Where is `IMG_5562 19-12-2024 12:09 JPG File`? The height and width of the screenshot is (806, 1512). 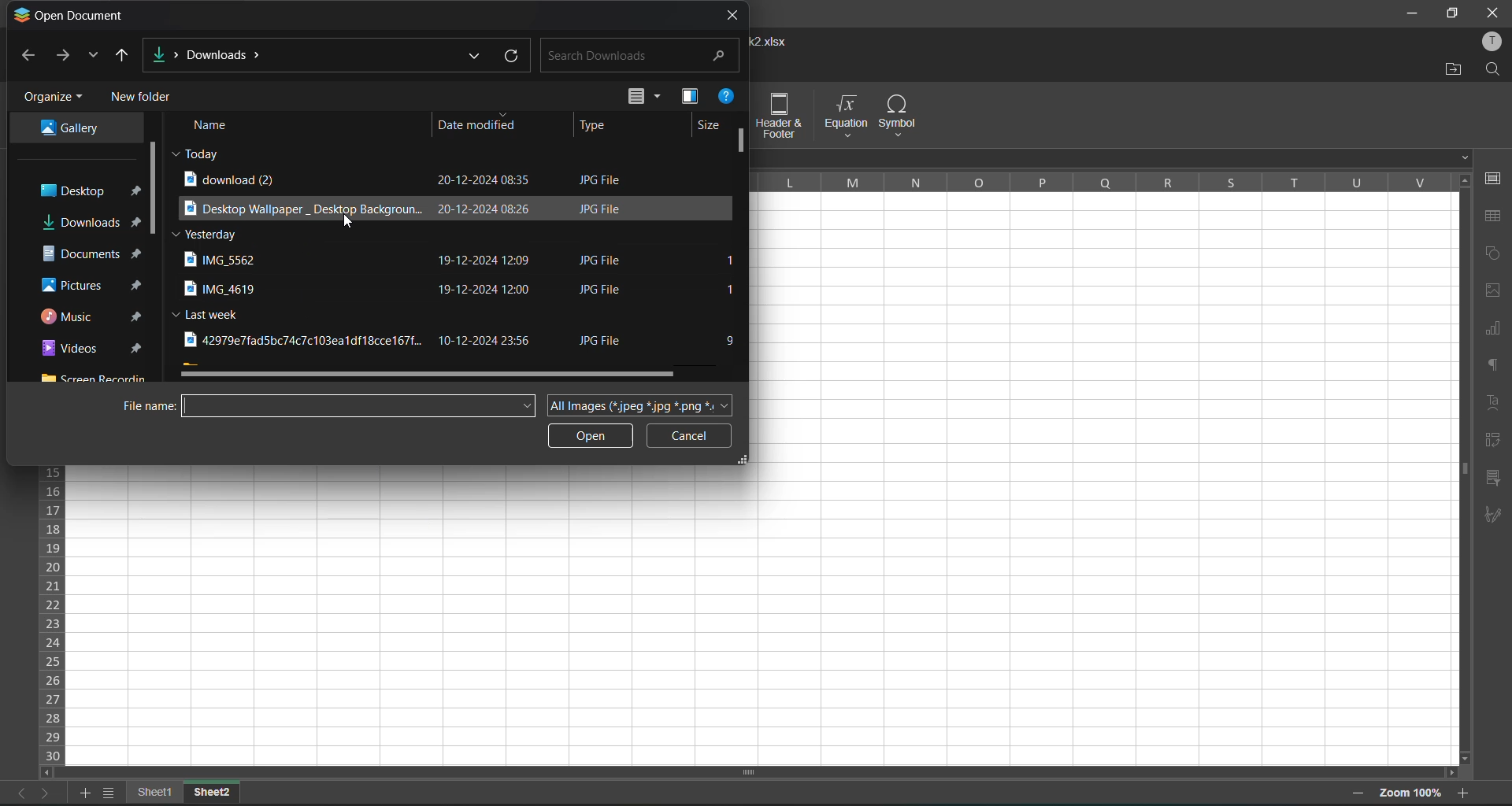
IMG_5562 19-12-2024 12:09 JPG File is located at coordinates (420, 261).